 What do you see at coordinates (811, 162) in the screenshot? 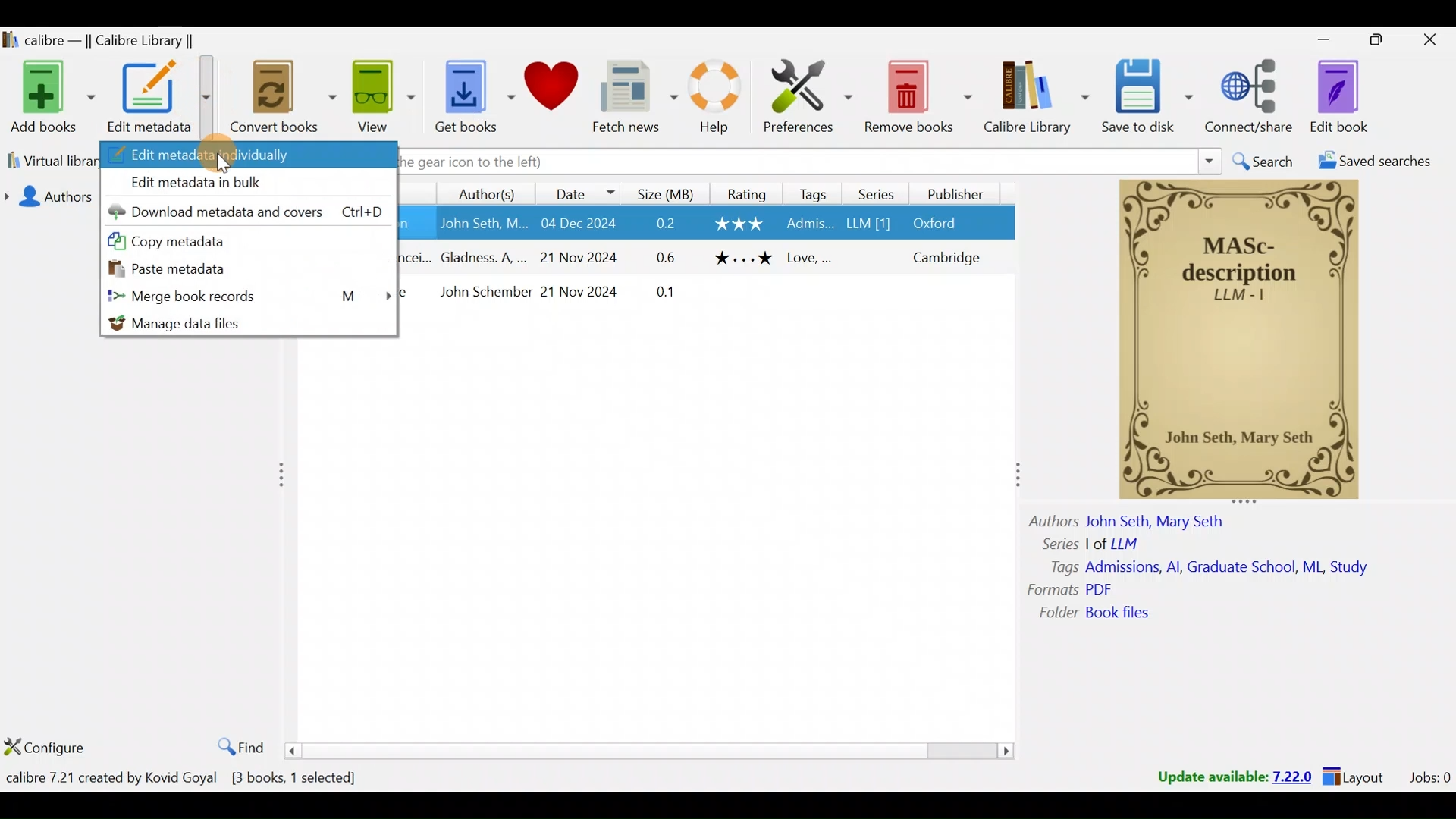
I see `Search bar` at bounding box center [811, 162].